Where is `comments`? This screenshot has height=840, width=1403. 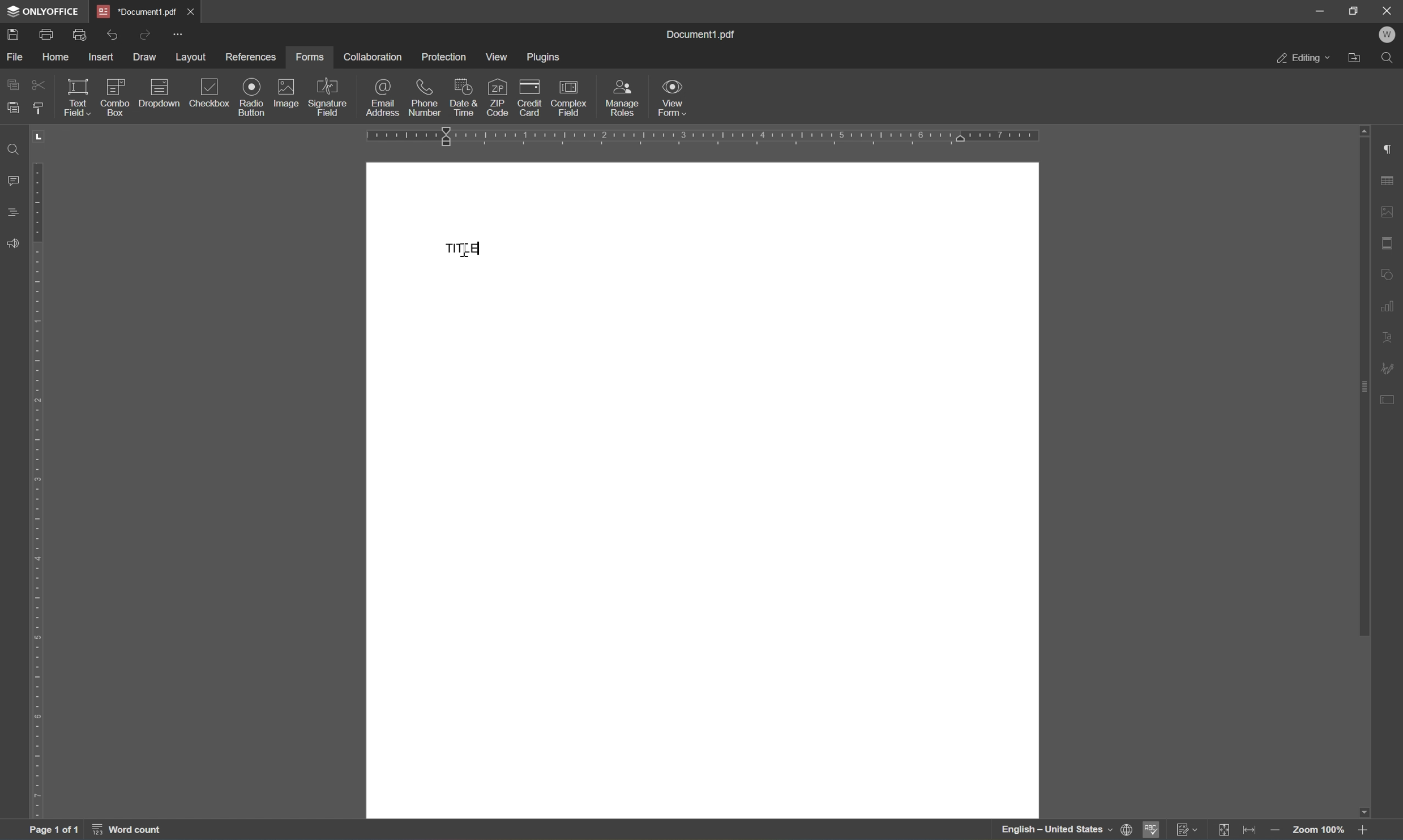 comments is located at coordinates (12, 212).